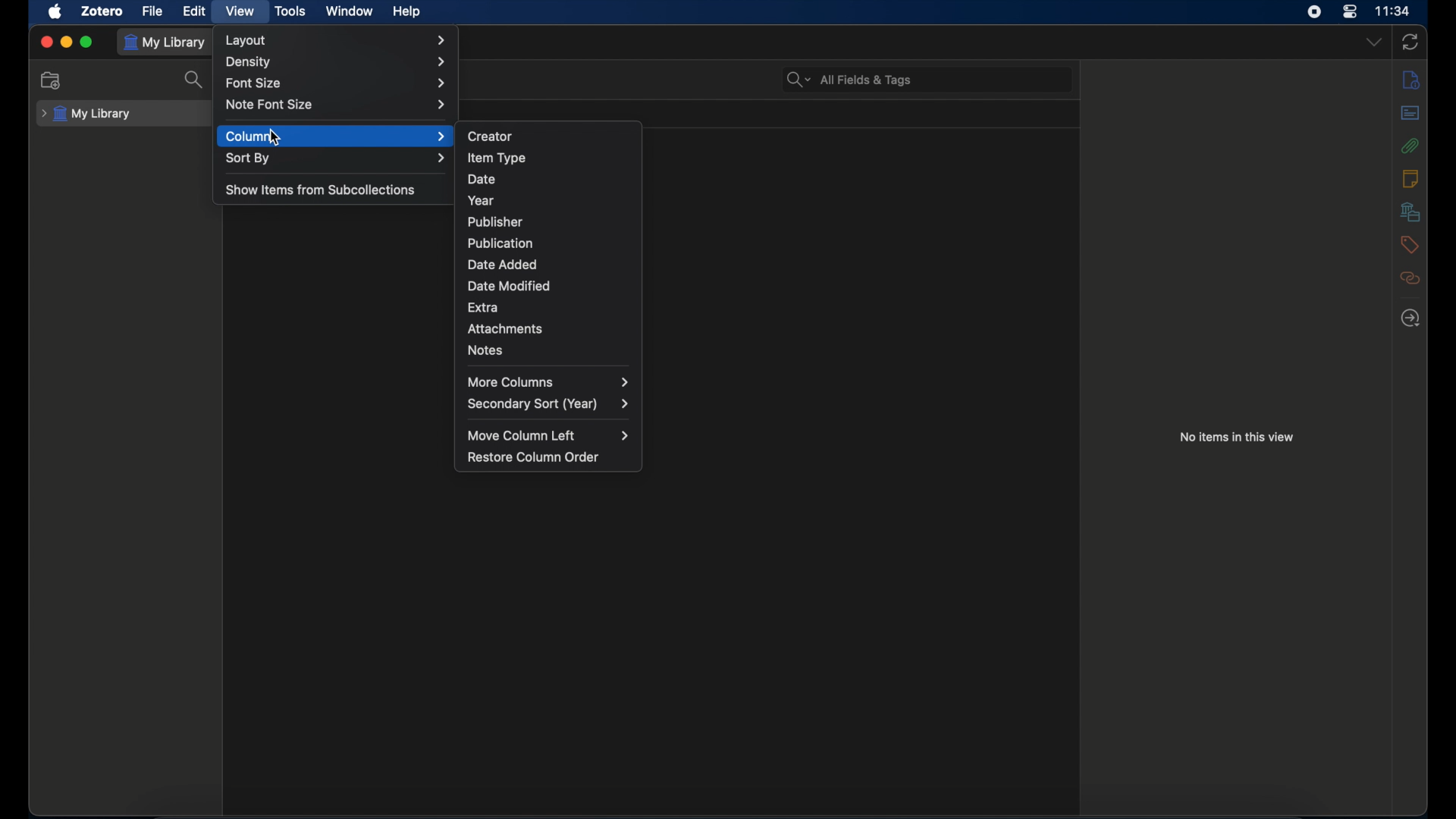  What do you see at coordinates (1410, 42) in the screenshot?
I see `sync` at bounding box center [1410, 42].